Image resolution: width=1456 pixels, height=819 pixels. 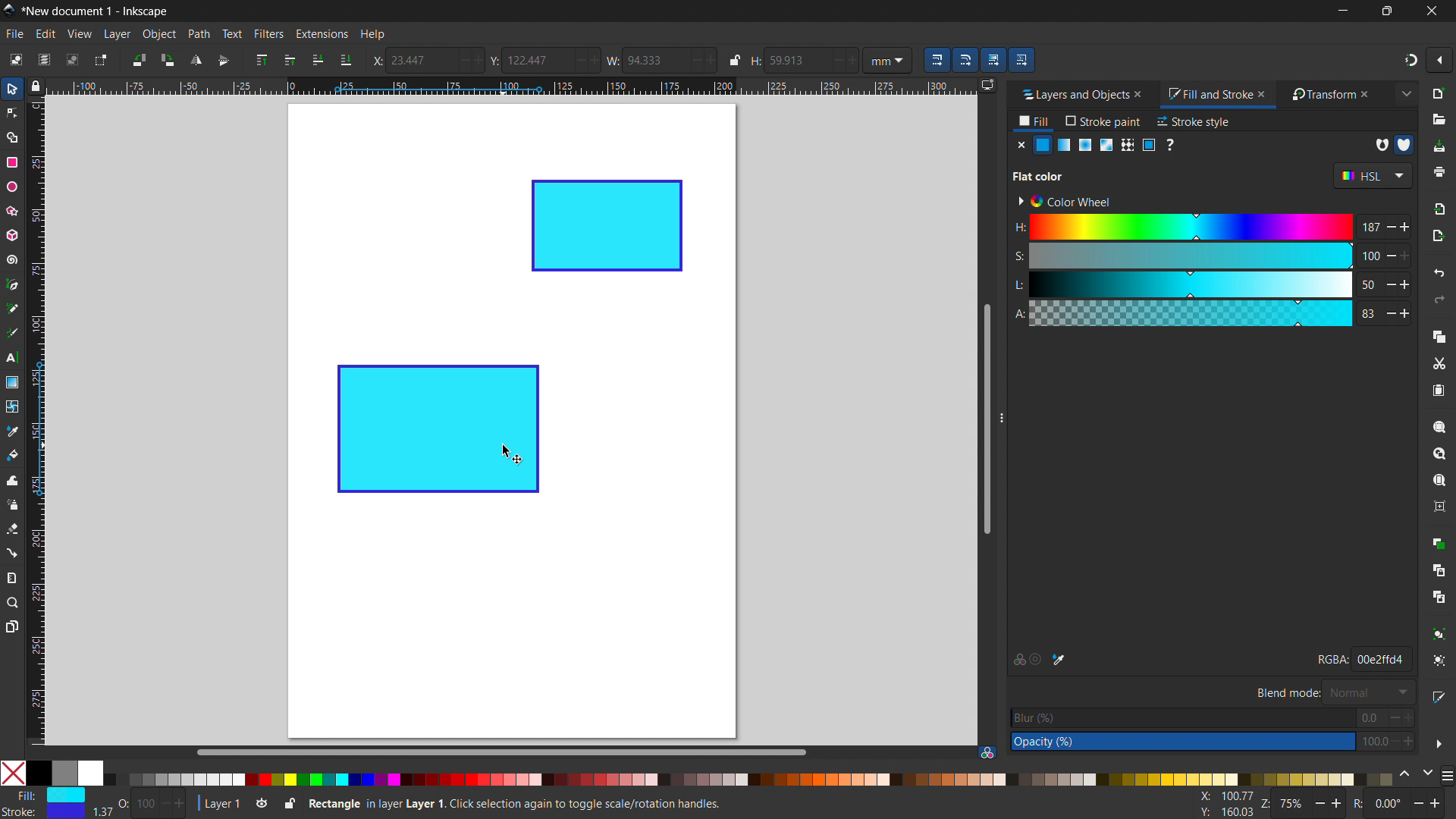 I want to click on color wheel, so click(x=1063, y=202).